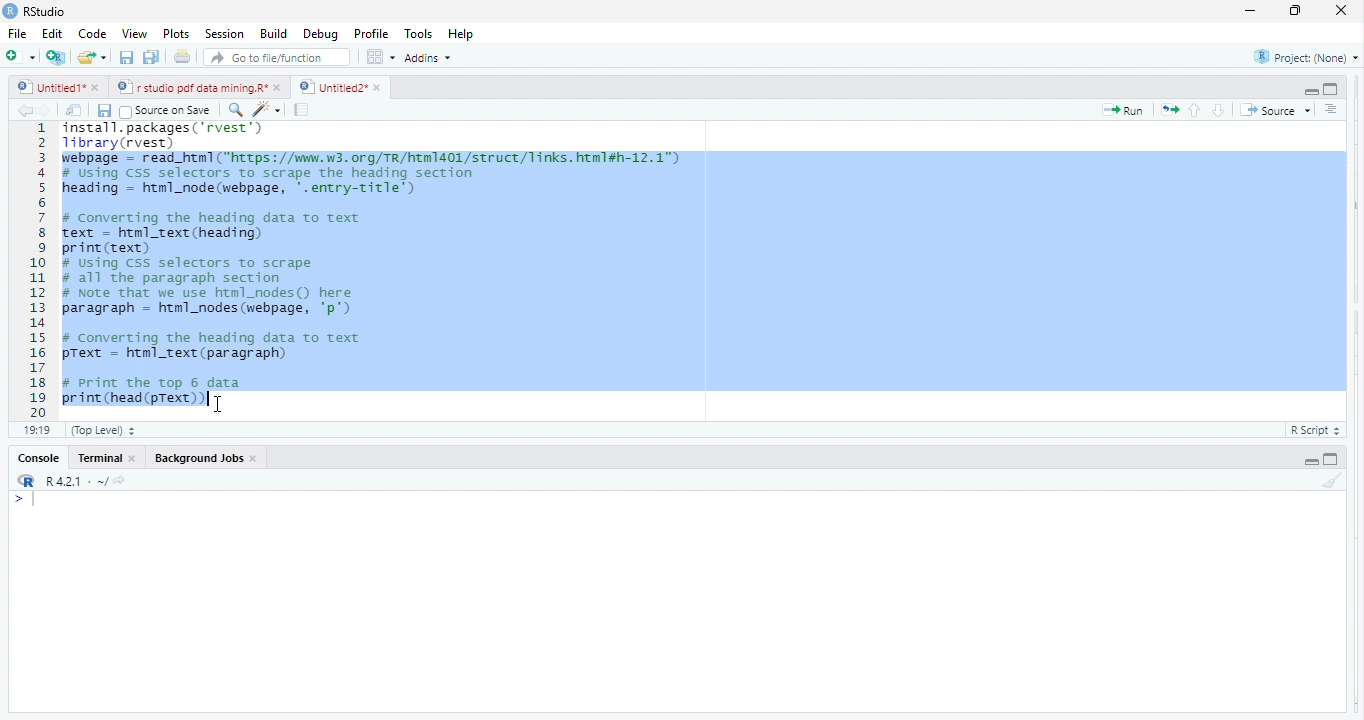  I want to click on Help, so click(462, 34).